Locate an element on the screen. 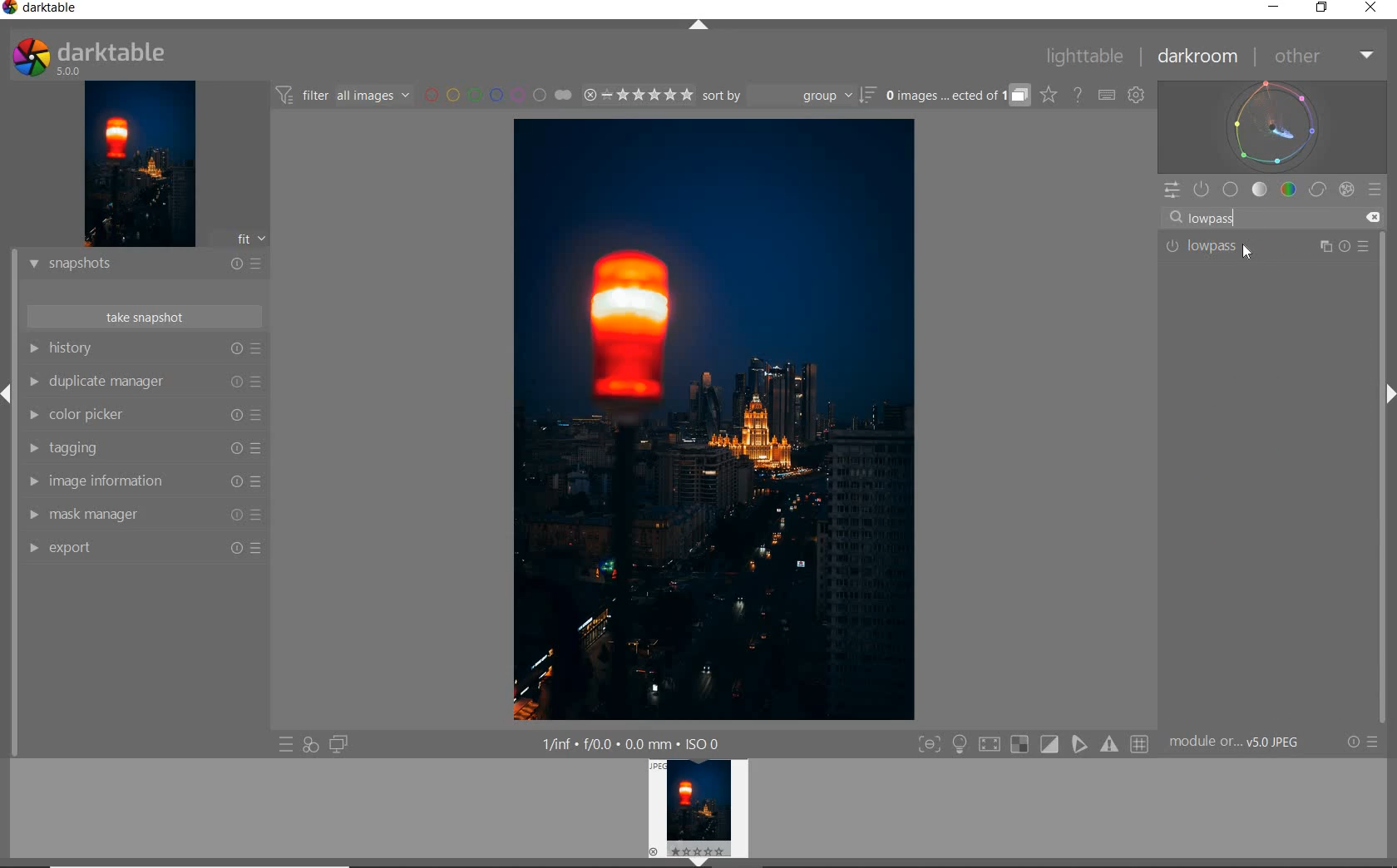 This screenshot has height=868, width=1397. FILTER IMAGES BASED ON THEIR MODULE ORDER is located at coordinates (345, 96).